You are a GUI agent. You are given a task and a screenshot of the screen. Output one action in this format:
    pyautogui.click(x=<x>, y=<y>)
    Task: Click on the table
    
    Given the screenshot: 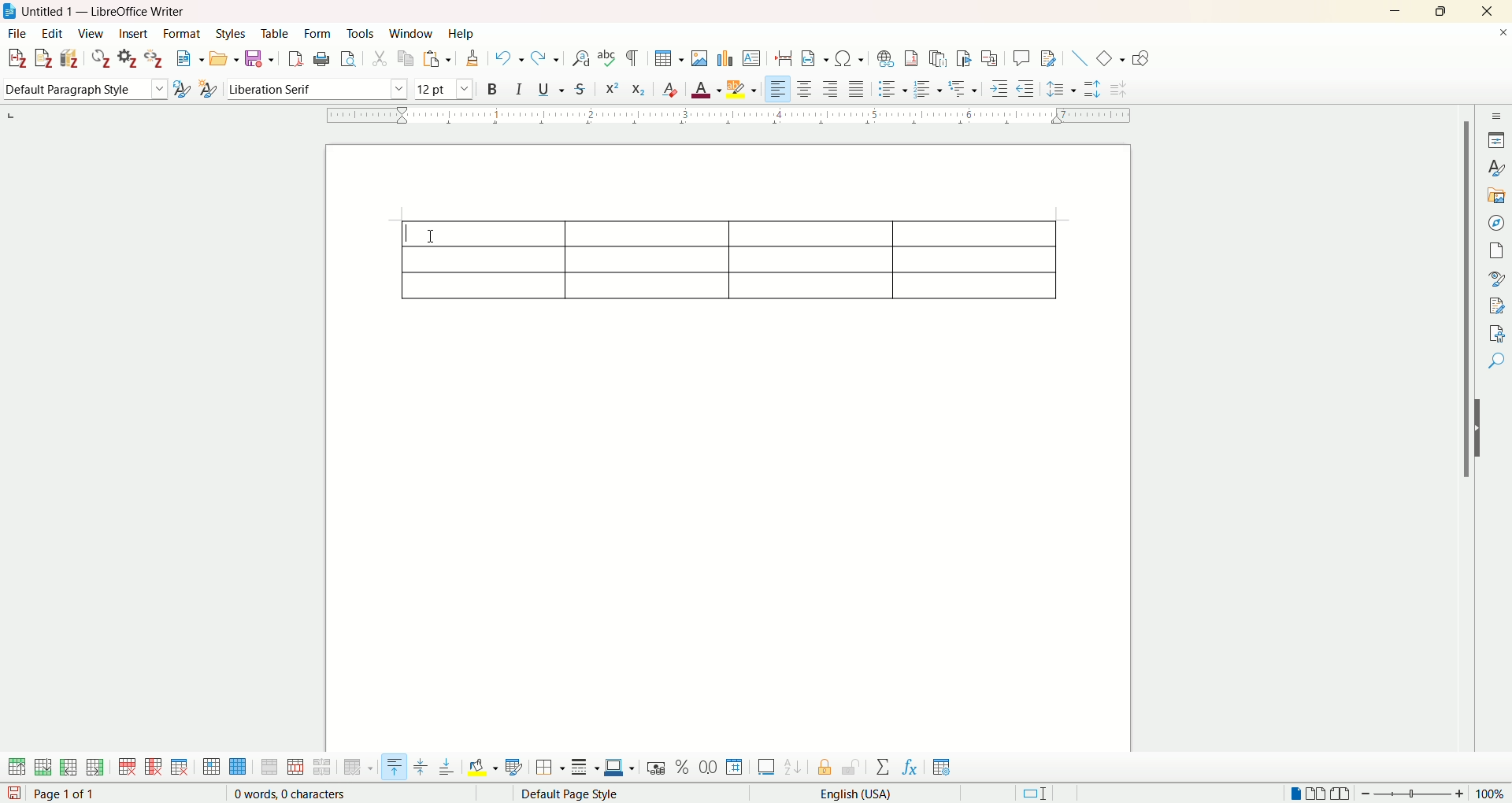 What is the action you would take?
    pyautogui.click(x=276, y=32)
    